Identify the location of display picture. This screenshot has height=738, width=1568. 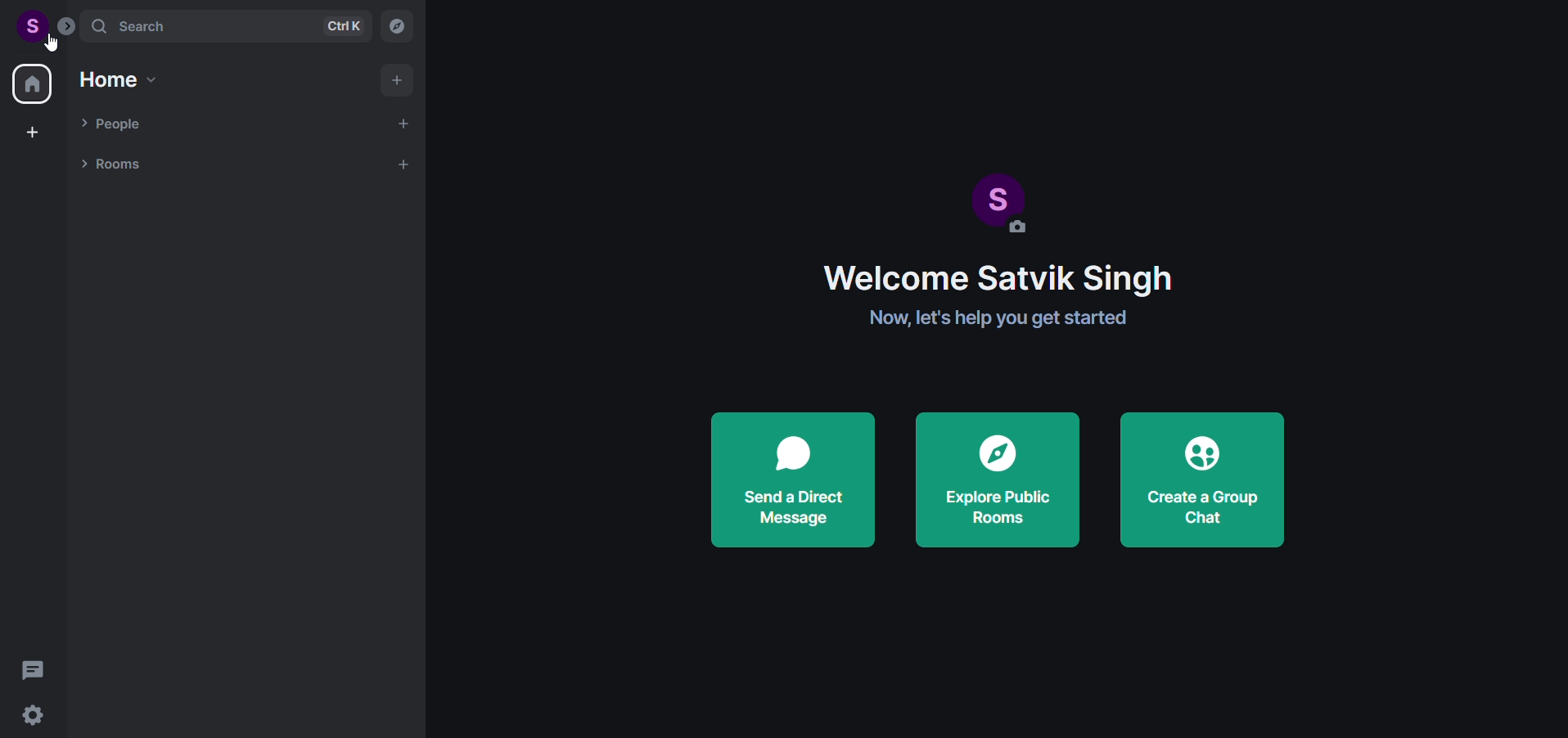
(998, 192).